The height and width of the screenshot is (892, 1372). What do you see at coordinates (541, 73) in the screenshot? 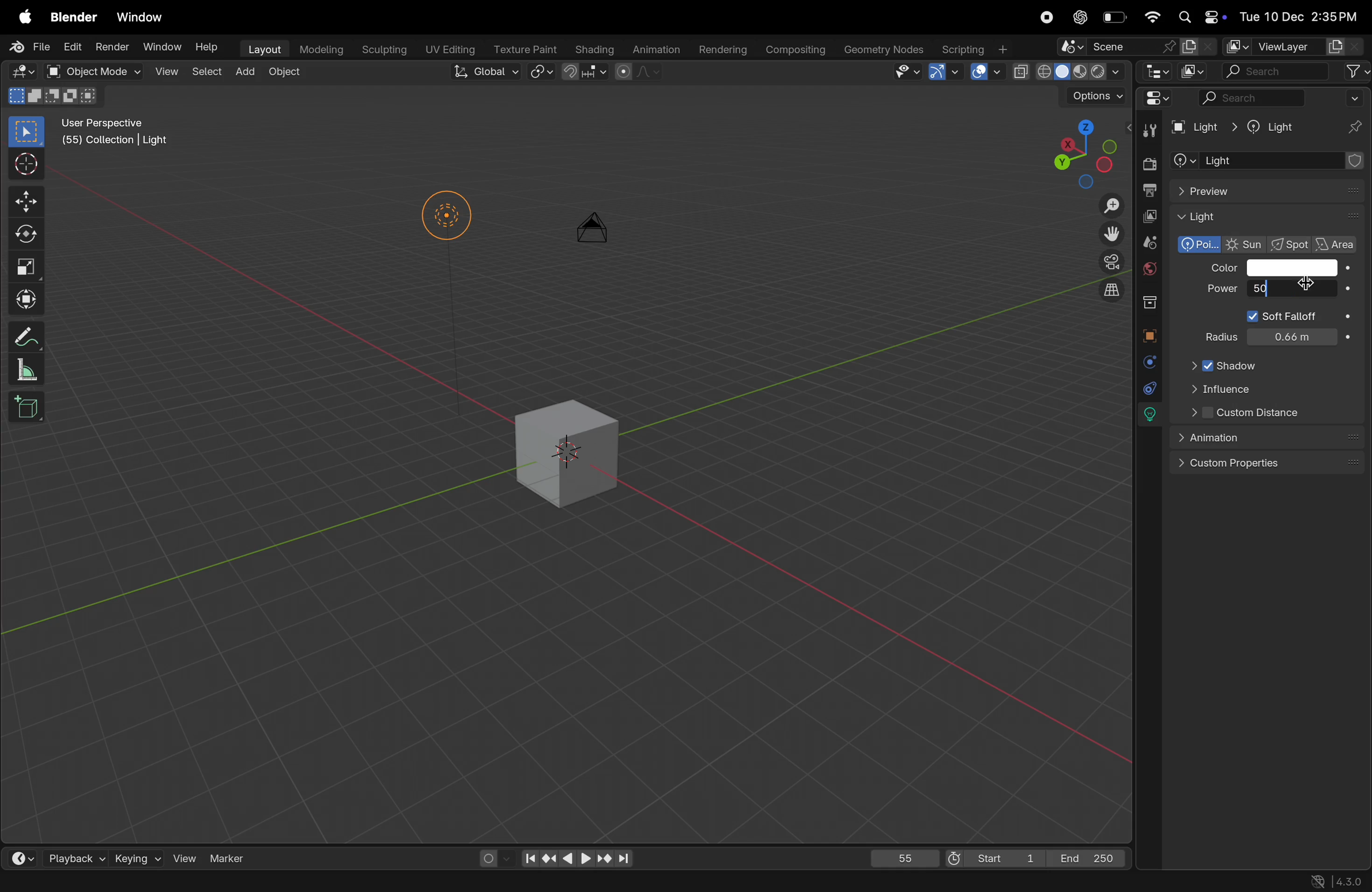
I see `snap` at bounding box center [541, 73].